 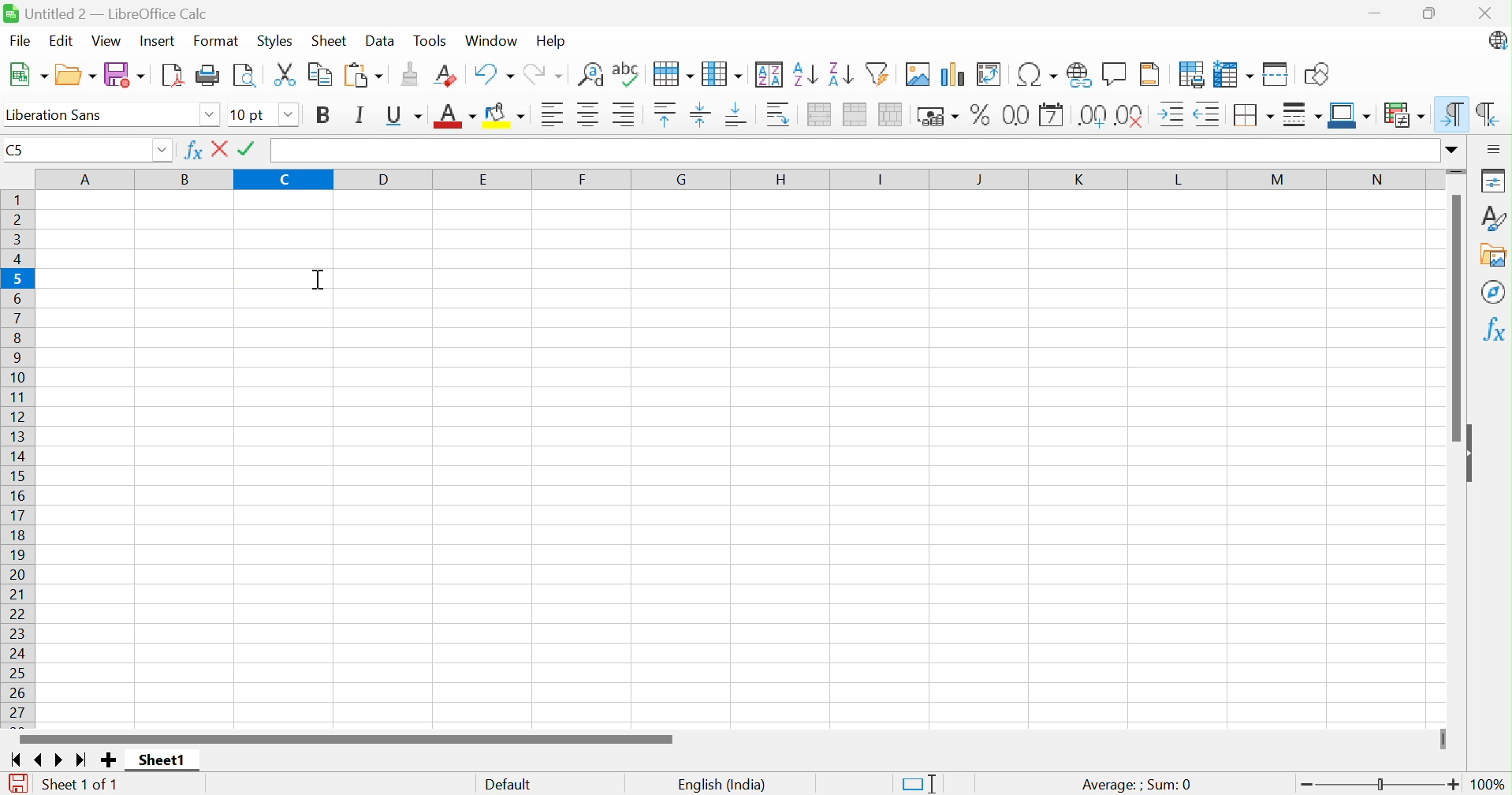 What do you see at coordinates (770, 75) in the screenshot?
I see `Sort` at bounding box center [770, 75].